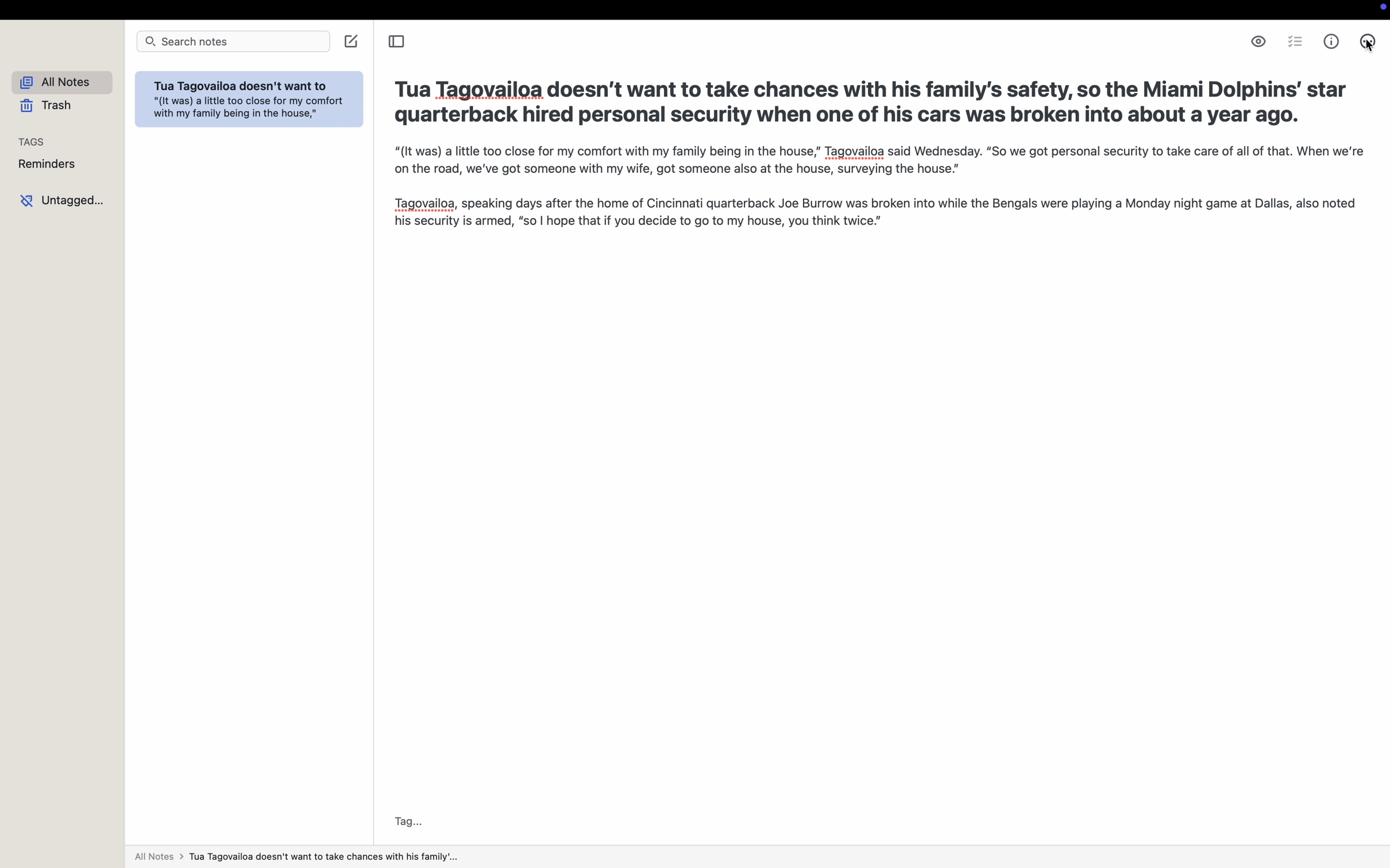 The width and height of the screenshot is (1390, 868). Describe the element at coordinates (34, 138) in the screenshot. I see `tags` at that location.